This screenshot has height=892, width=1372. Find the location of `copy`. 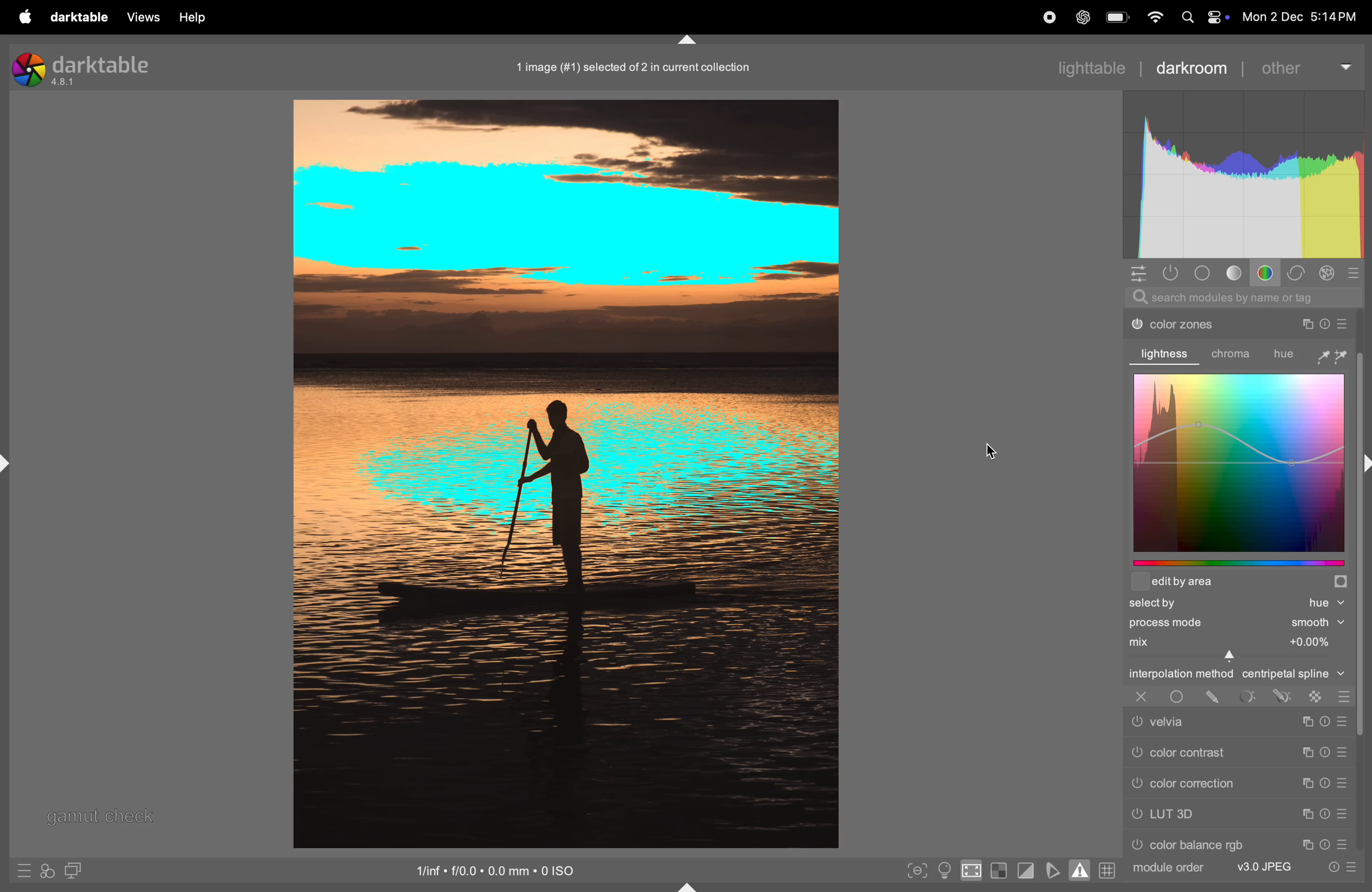

copy is located at coordinates (1306, 783).